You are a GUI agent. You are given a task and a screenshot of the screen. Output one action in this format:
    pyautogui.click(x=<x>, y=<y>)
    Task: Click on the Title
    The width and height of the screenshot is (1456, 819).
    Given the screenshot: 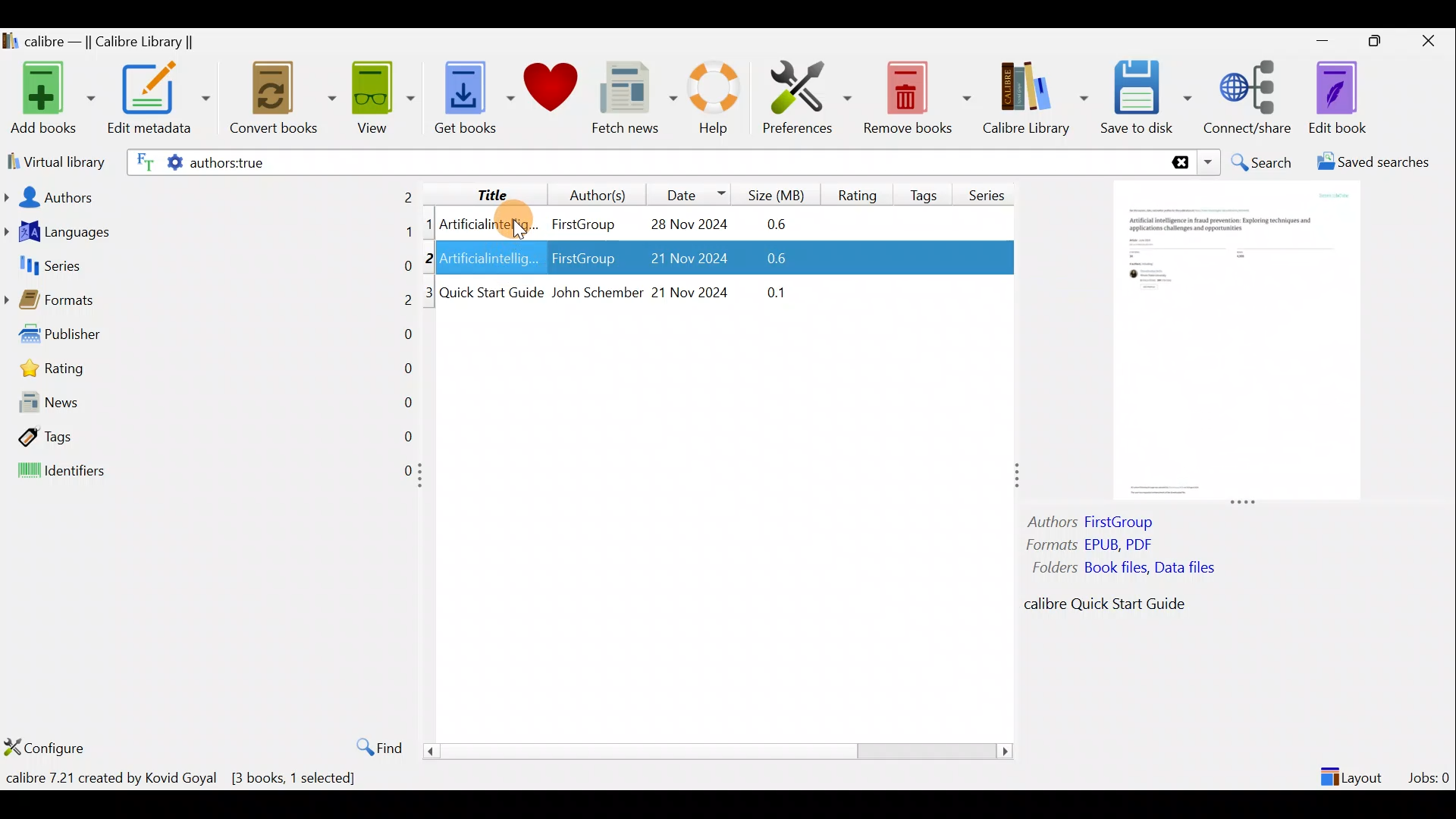 What is the action you would take?
    pyautogui.click(x=480, y=192)
    